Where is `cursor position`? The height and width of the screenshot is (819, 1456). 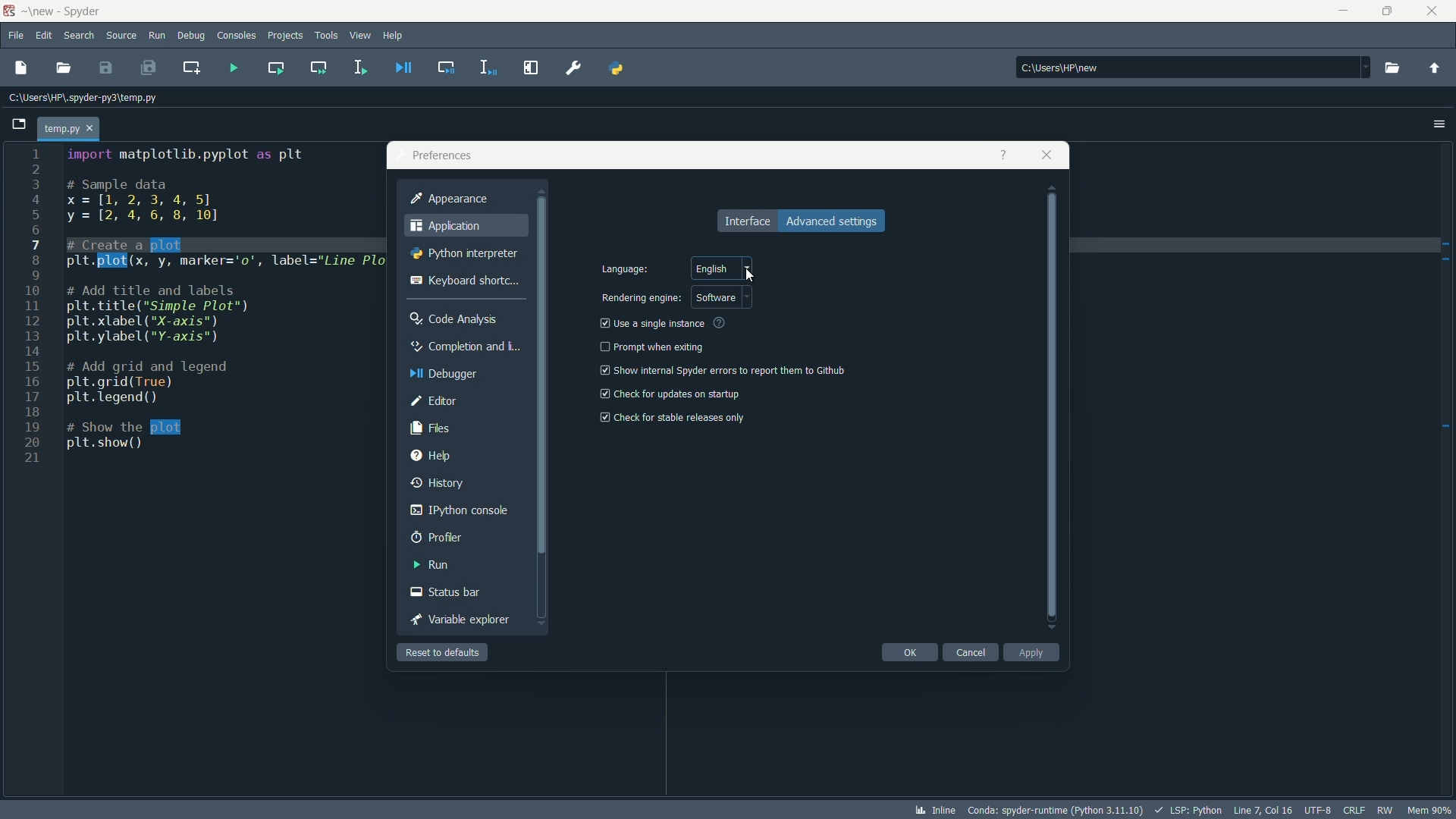
cursor position is located at coordinates (1262, 810).